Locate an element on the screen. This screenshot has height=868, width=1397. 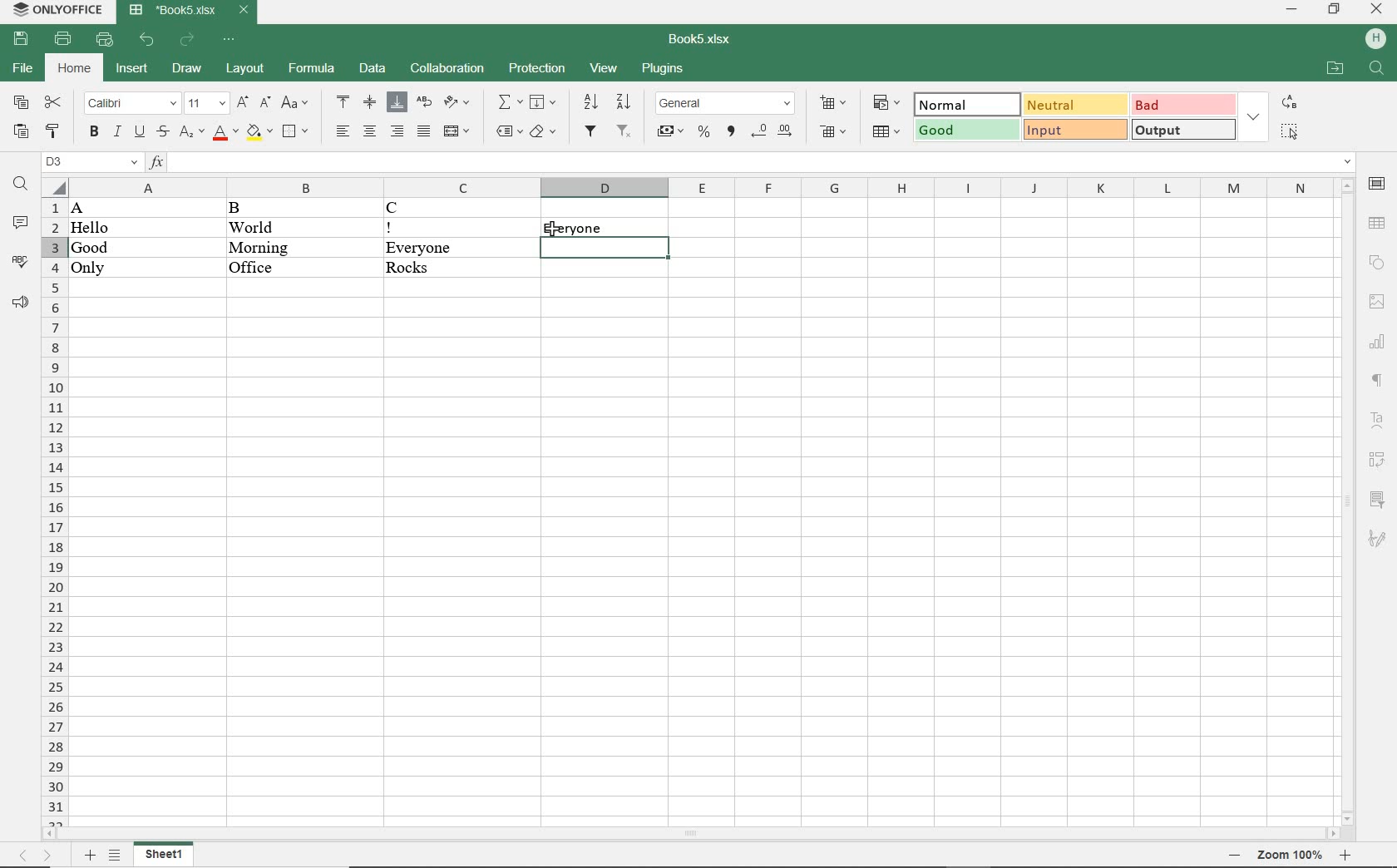
scrollbar is located at coordinates (694, 832).